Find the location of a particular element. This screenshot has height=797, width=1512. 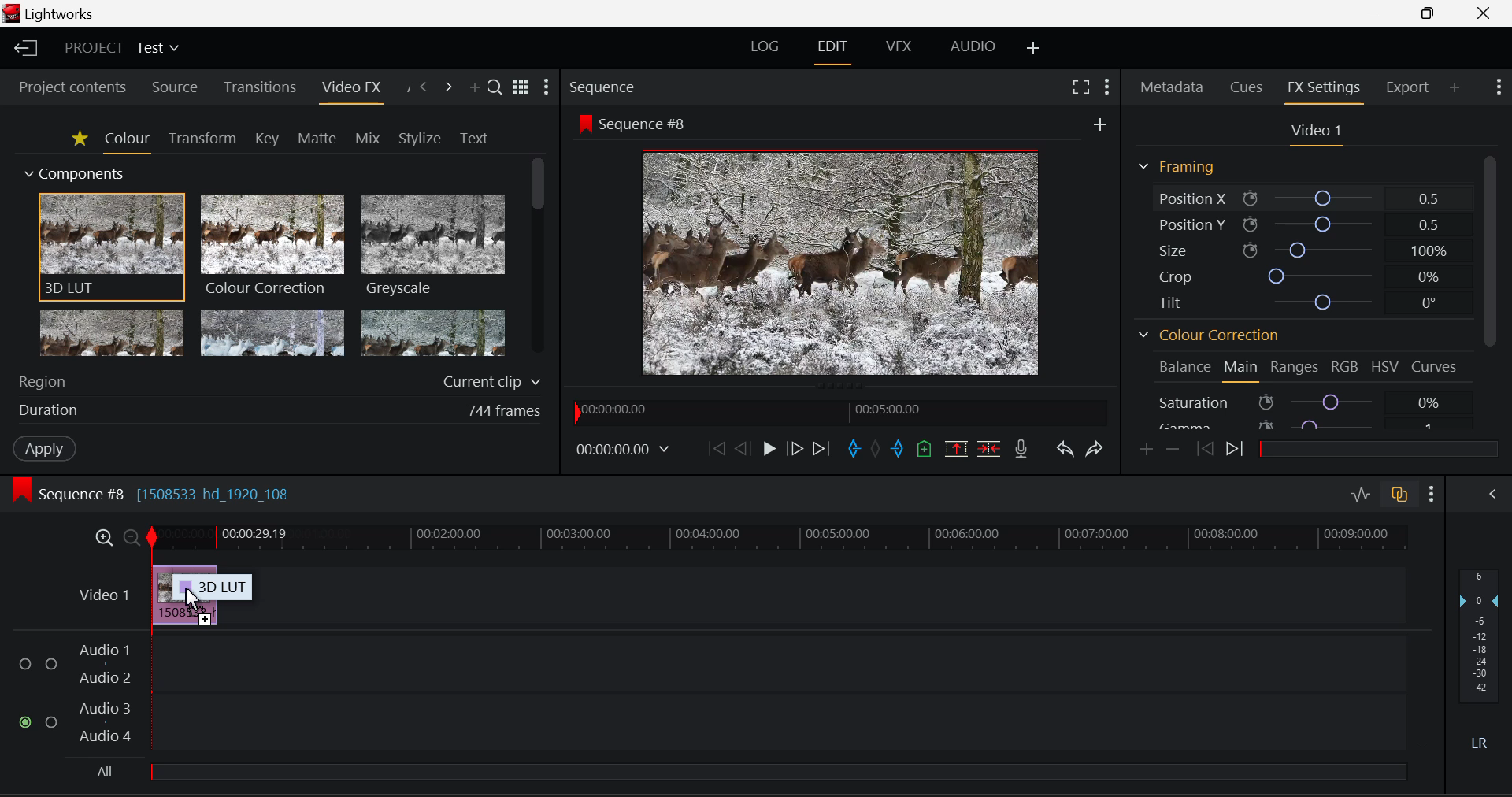

Go Back is located at coordinates (743, 451).